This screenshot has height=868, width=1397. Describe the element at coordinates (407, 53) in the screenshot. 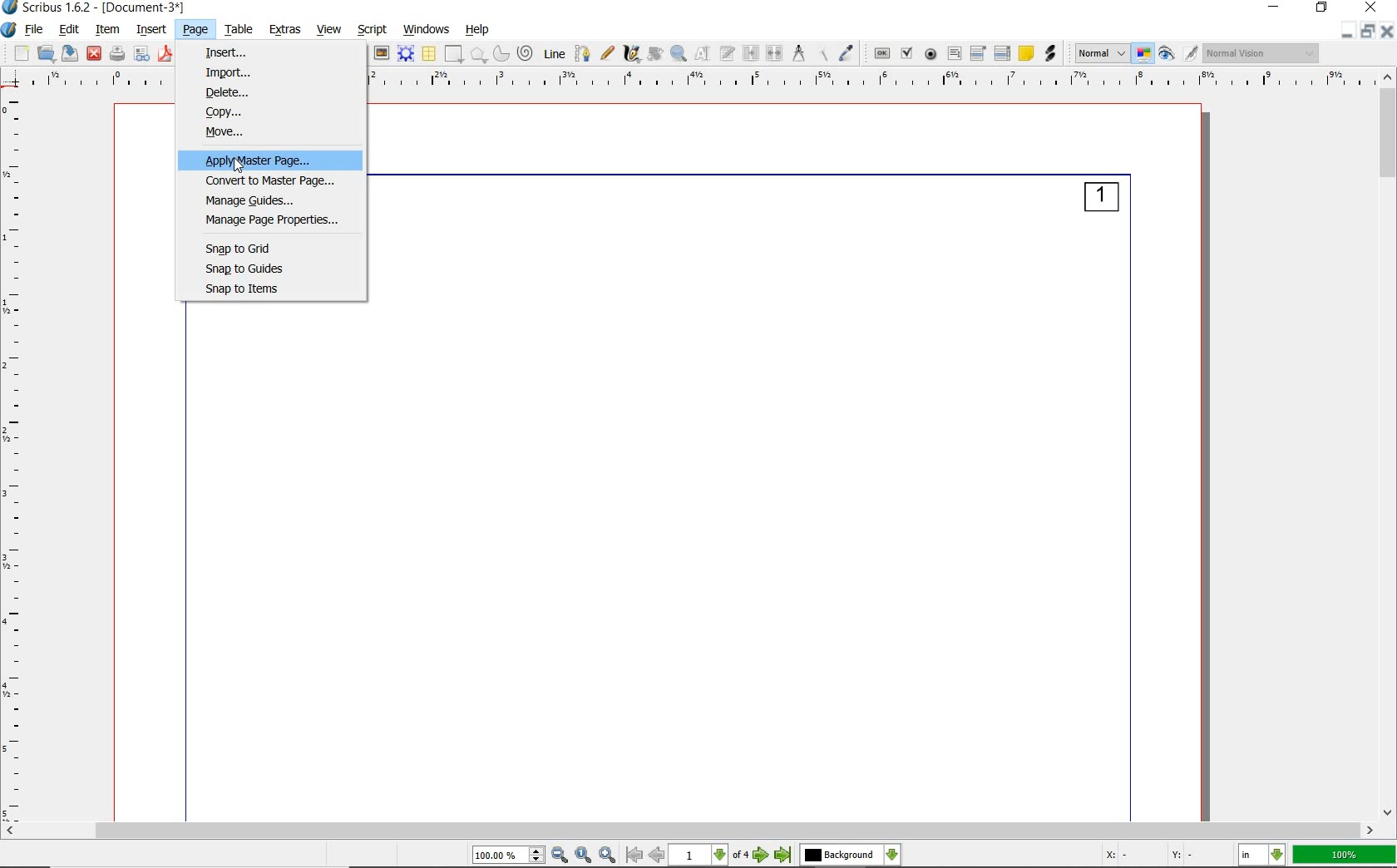

I see `render frame` at that location.